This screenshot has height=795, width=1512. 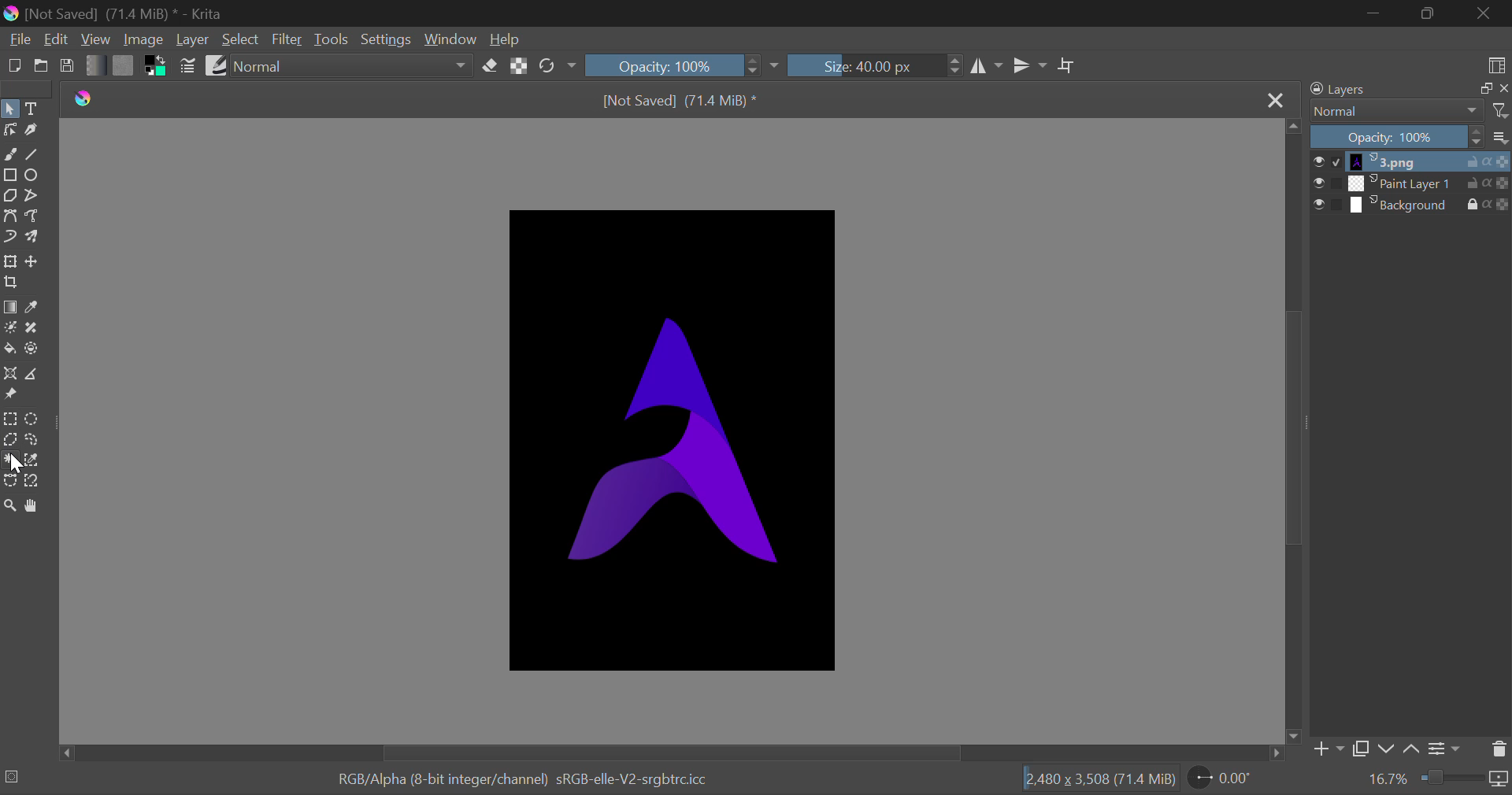 What do you see at coordinates (96, 39) in the screenshot?
I see `View` at bounding box center [96, 39].